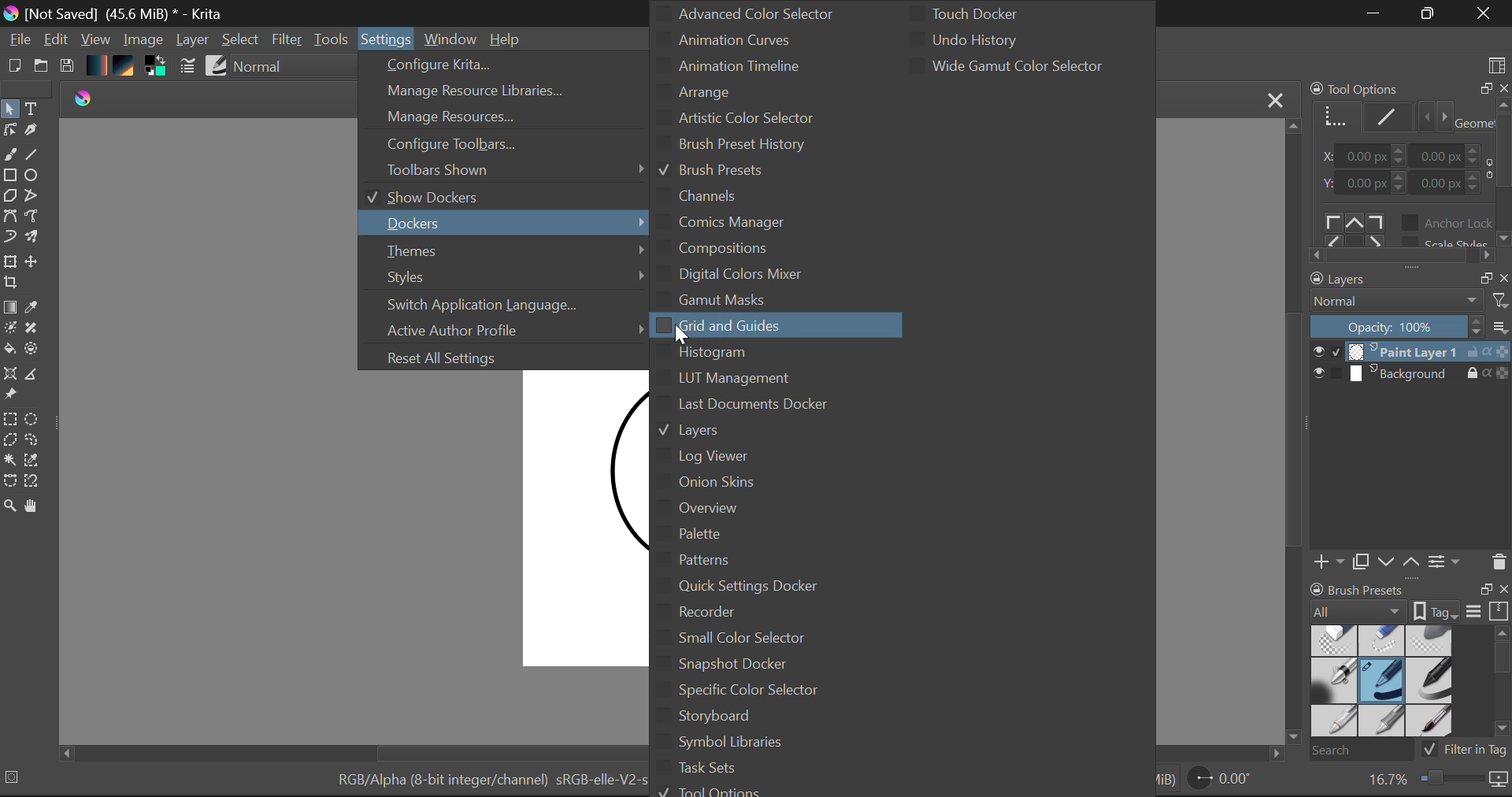 This screenshot has height=797, width=1512. What do you see at coordinates (9, 262) in the screenshot?
I see `Transform Layer` at bounding box center [9, 262].